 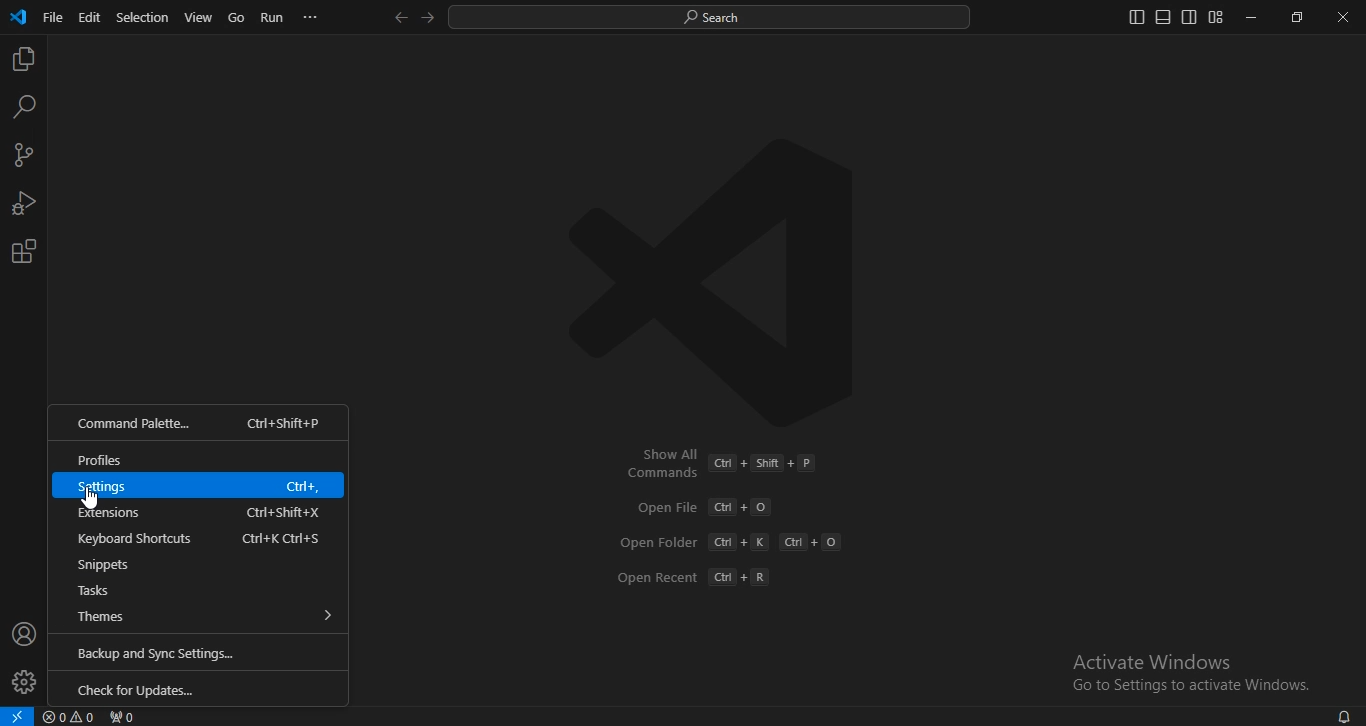 I want to click on no ports forwarded, so click(x=124, y=716).